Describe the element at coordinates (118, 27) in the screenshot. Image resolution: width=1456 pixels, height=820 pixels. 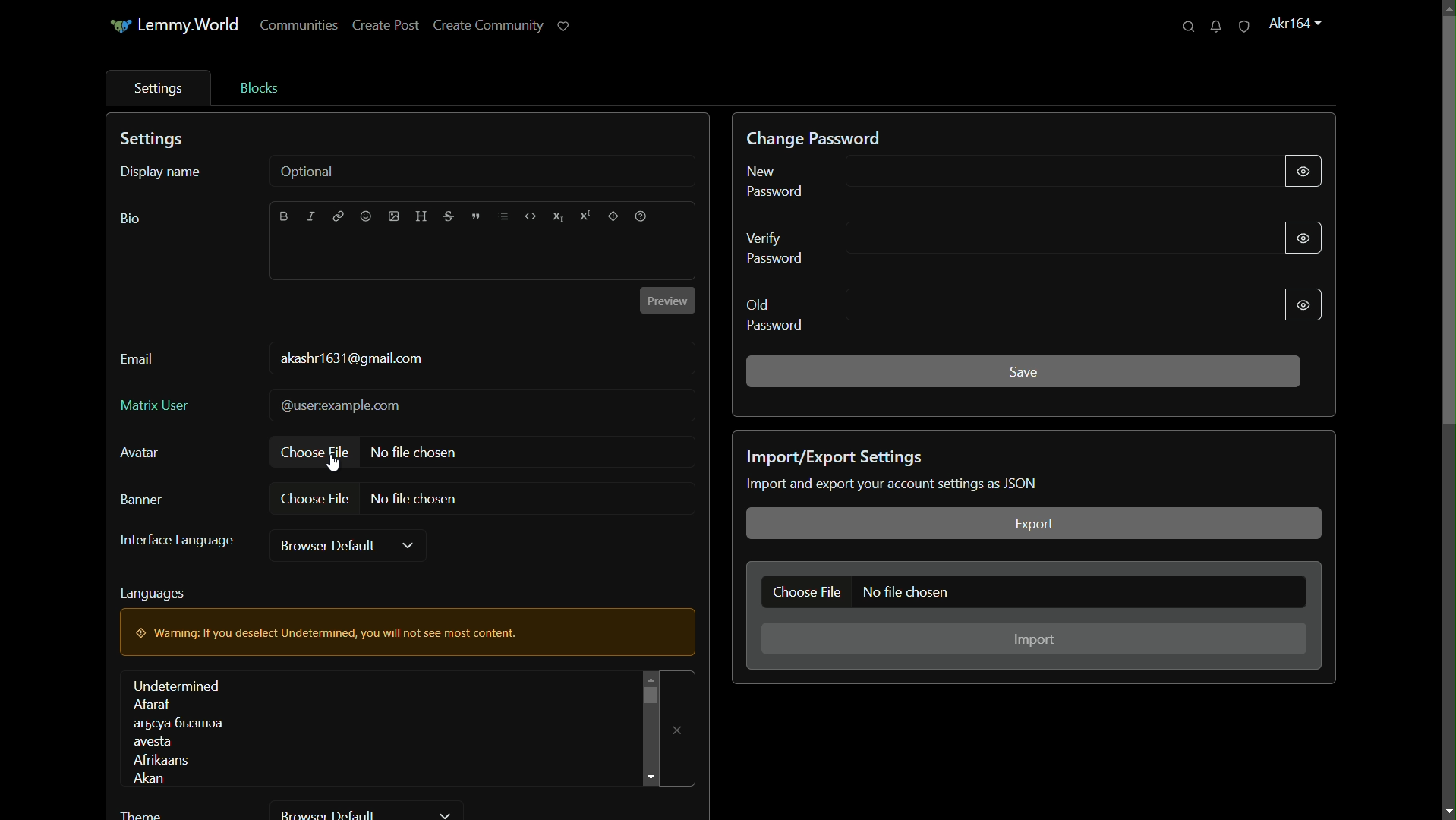
I see `icon` at that location.